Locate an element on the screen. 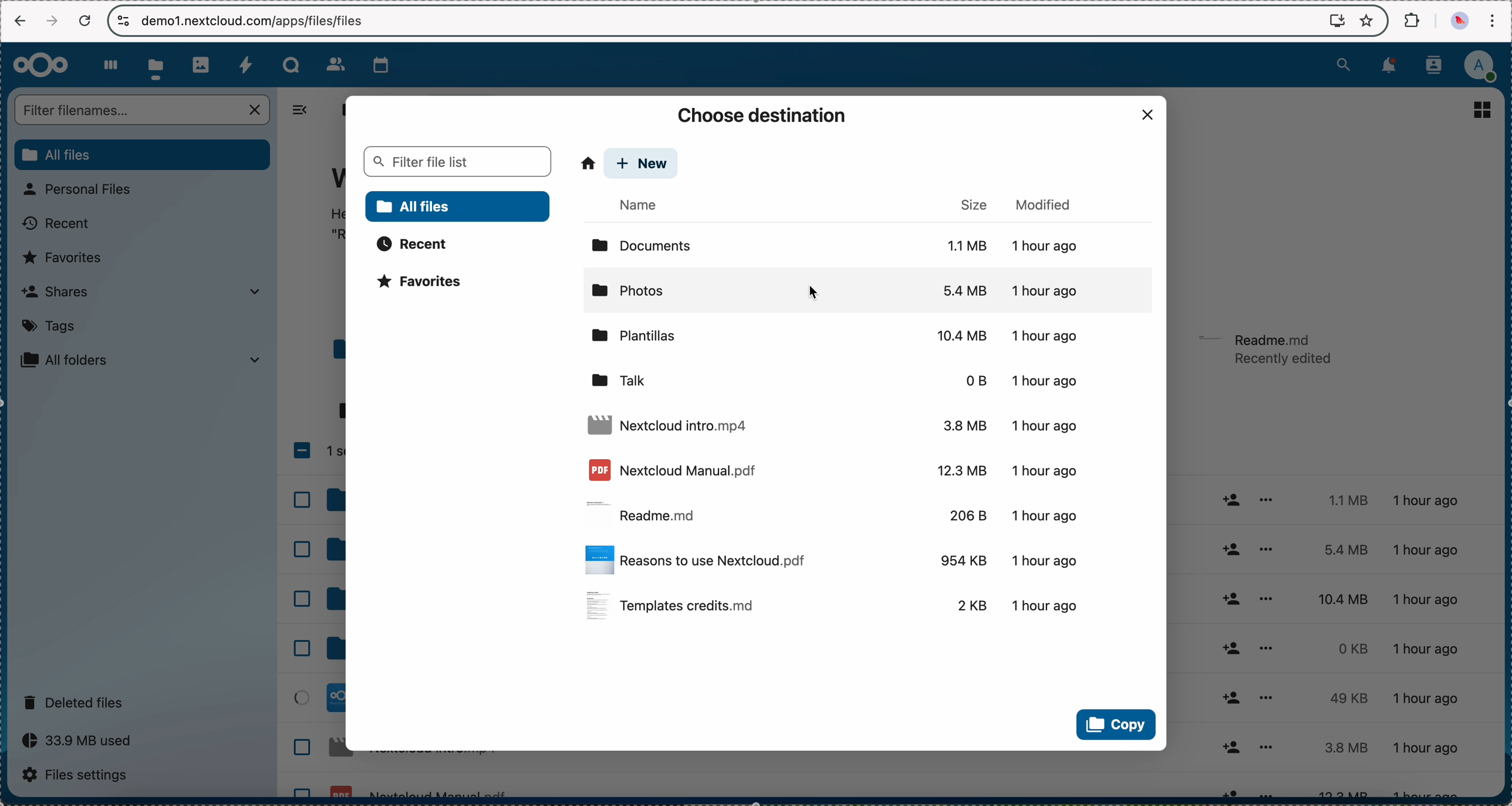 The width and height of the screenshot is (1512, 806). close window is located at coordinates (1148, 116).